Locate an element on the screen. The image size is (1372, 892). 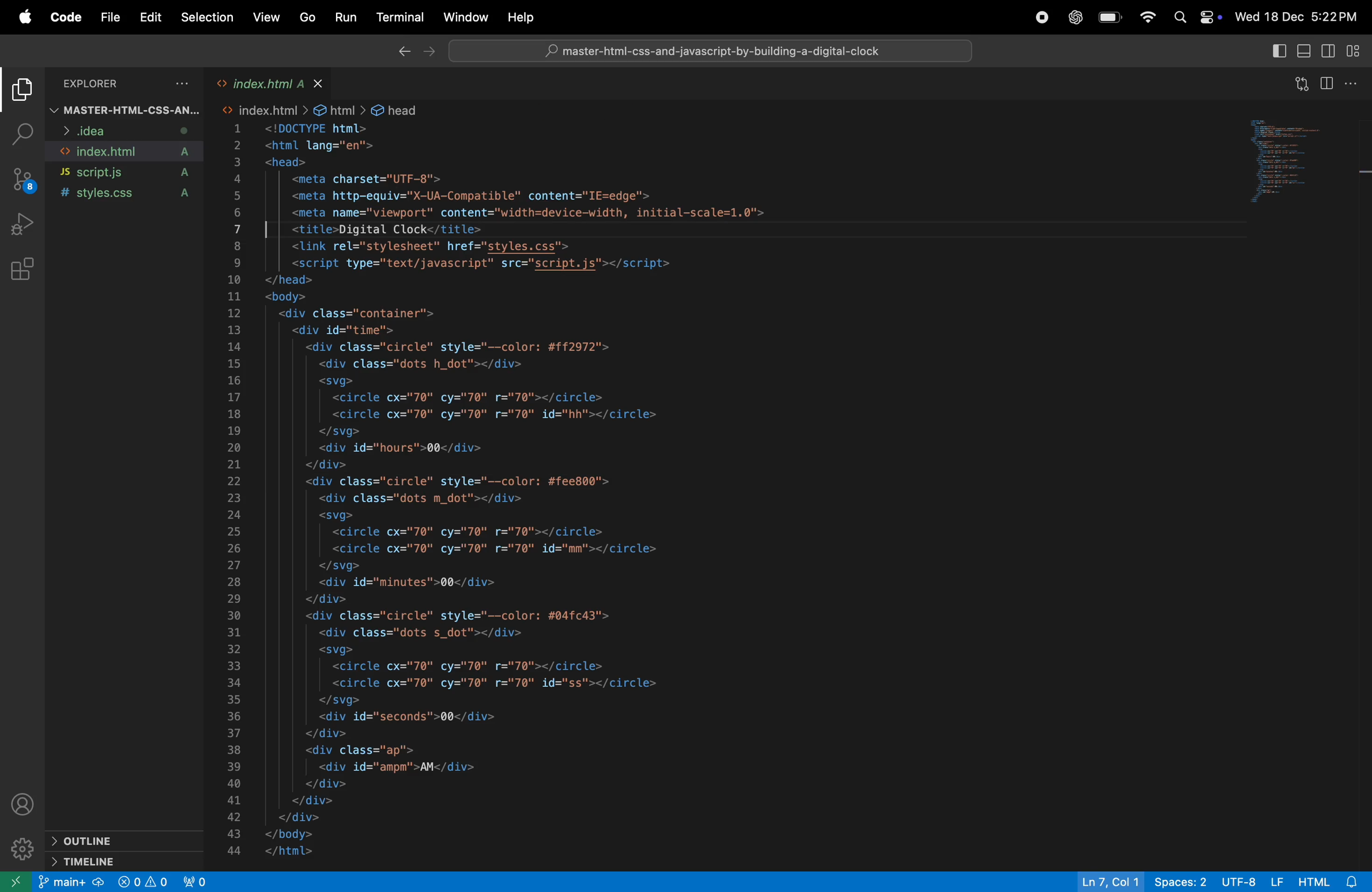
split editor is located at coordinates (1331, 84).